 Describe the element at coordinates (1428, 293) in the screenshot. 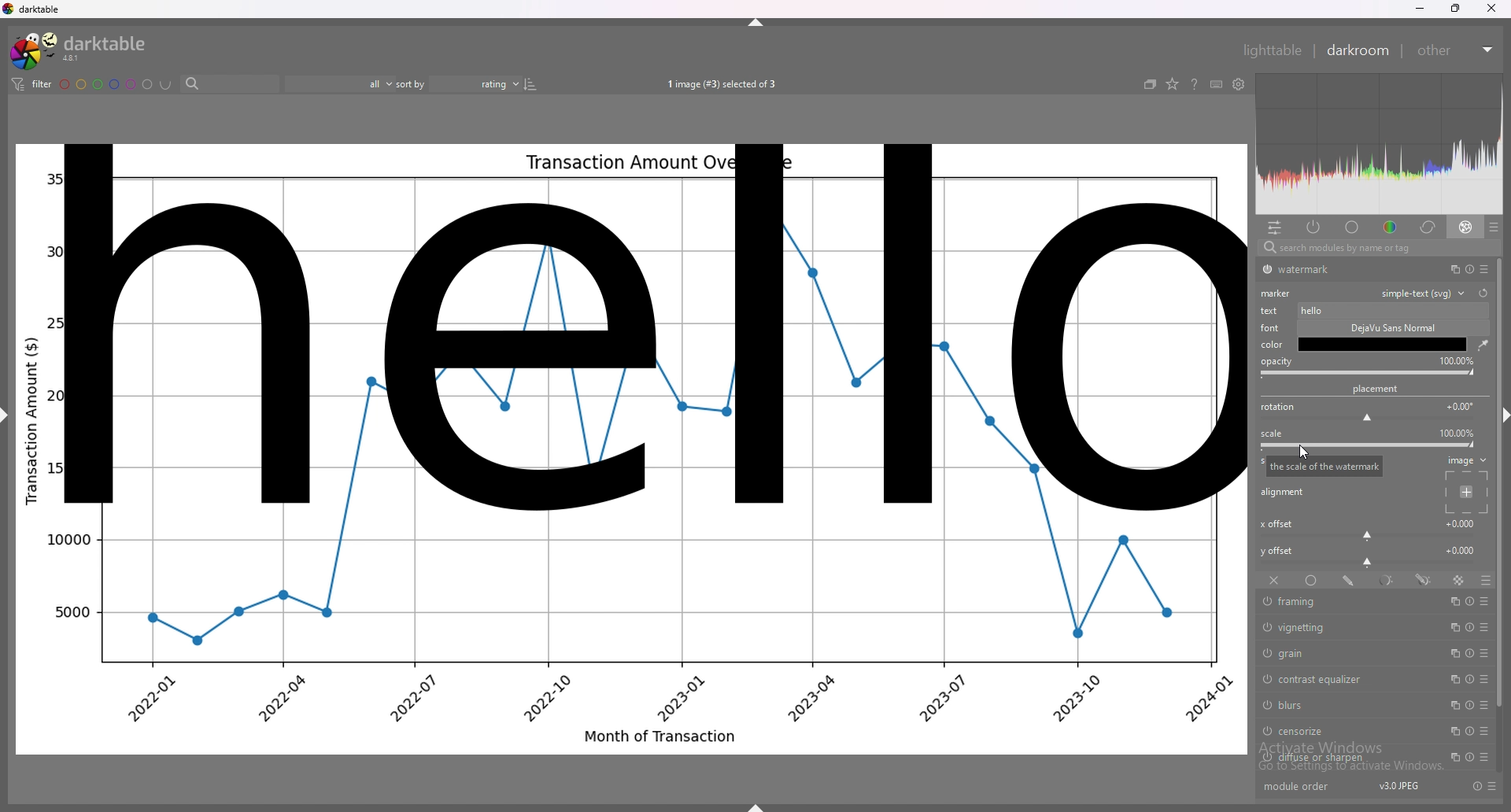

I see `watermark type` at that location.